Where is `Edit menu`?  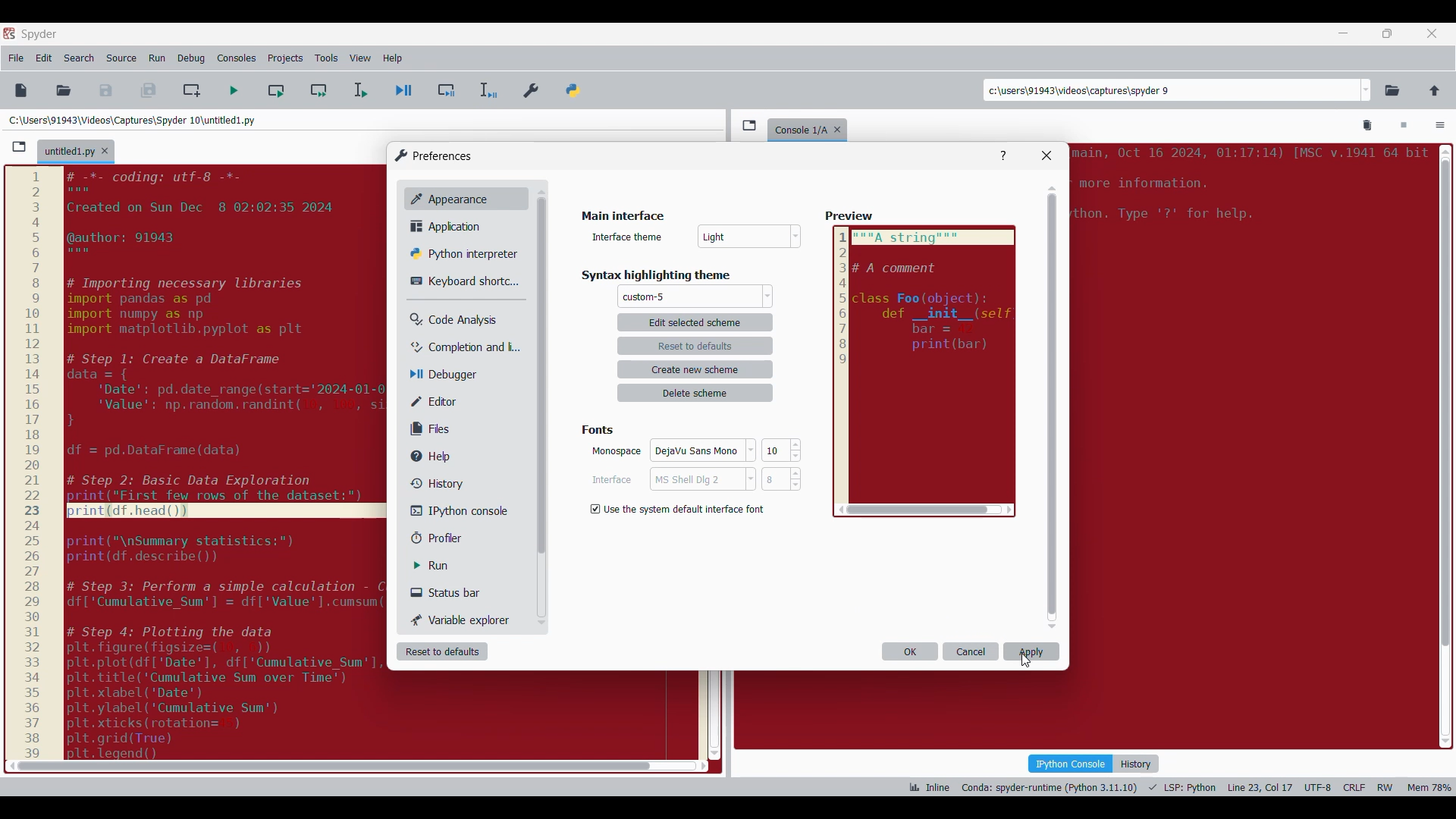 Edit menu is located at coordinates (44, 58).